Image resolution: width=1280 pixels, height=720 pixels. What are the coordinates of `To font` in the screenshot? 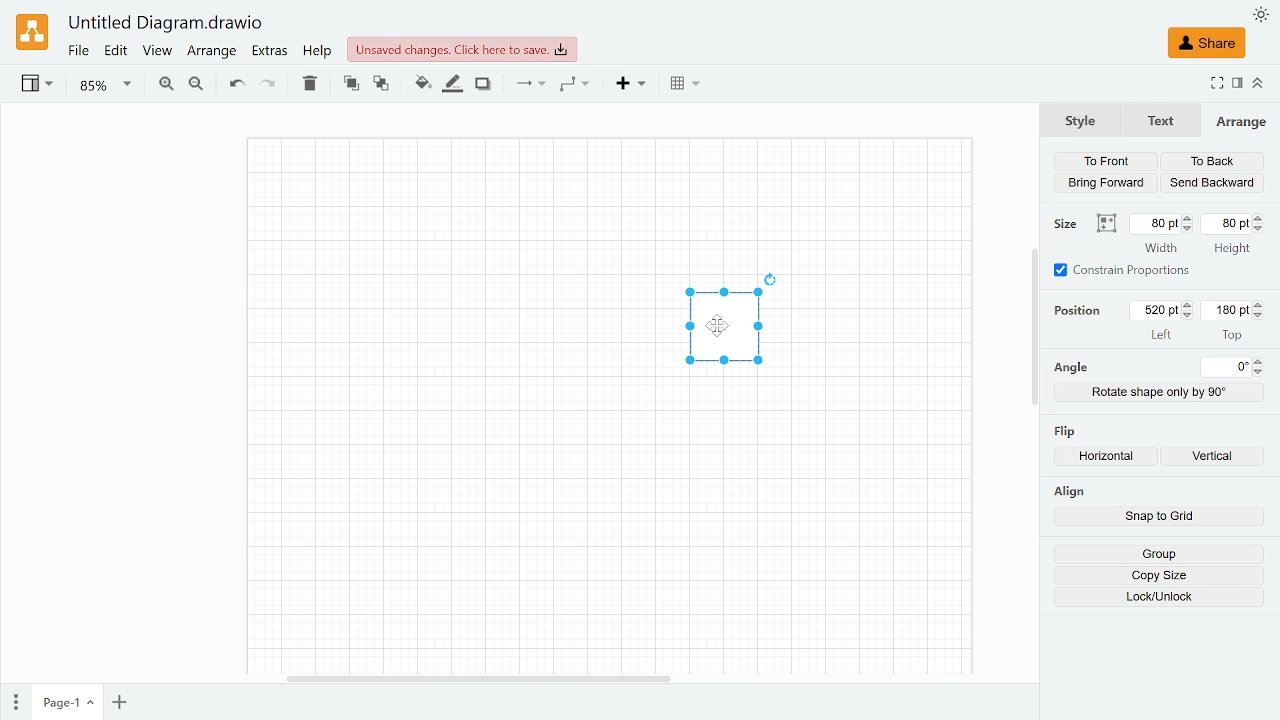 It's located at (351, 84).